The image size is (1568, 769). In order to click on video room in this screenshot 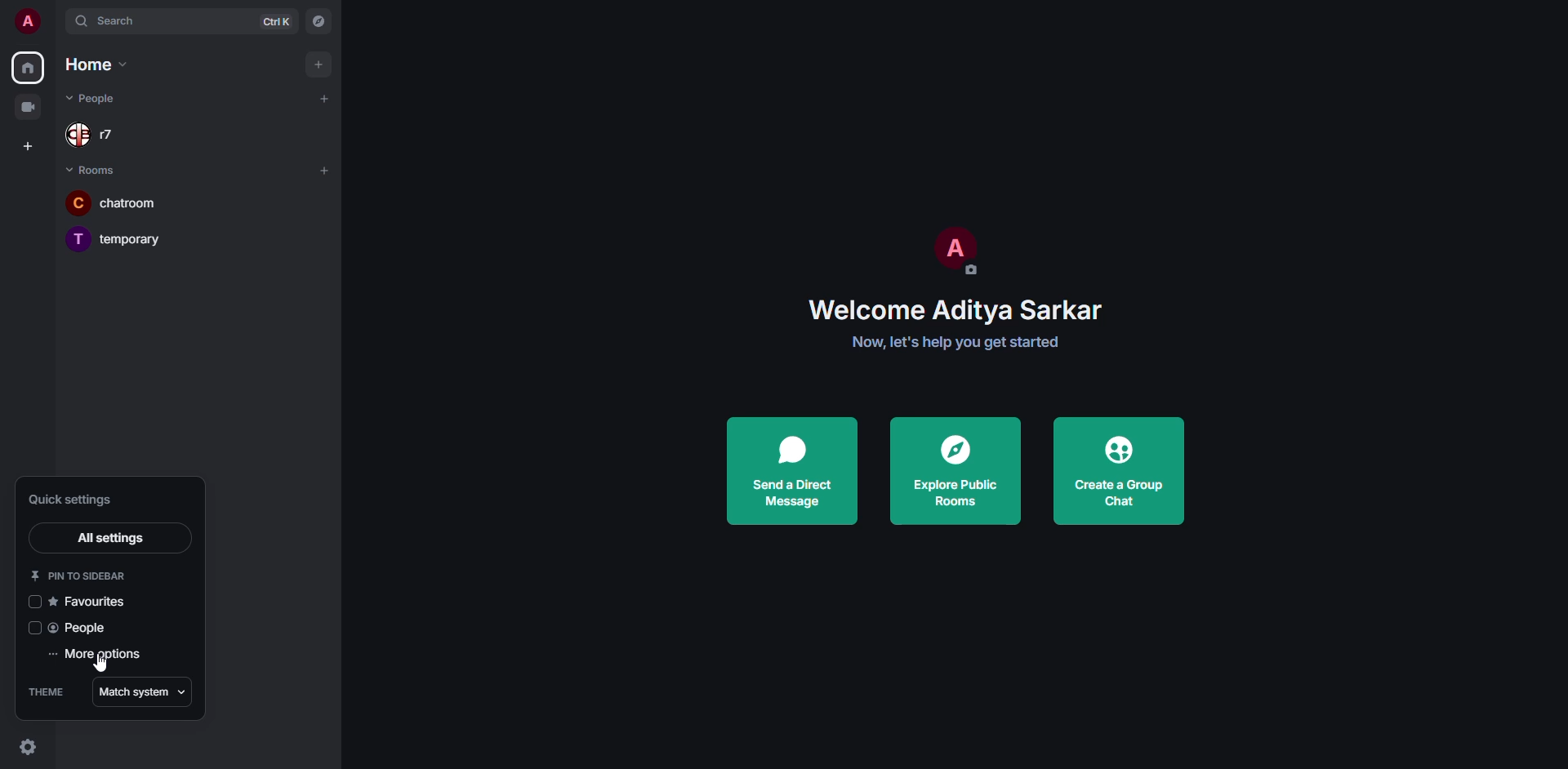, I will do `click(26, 107)`.